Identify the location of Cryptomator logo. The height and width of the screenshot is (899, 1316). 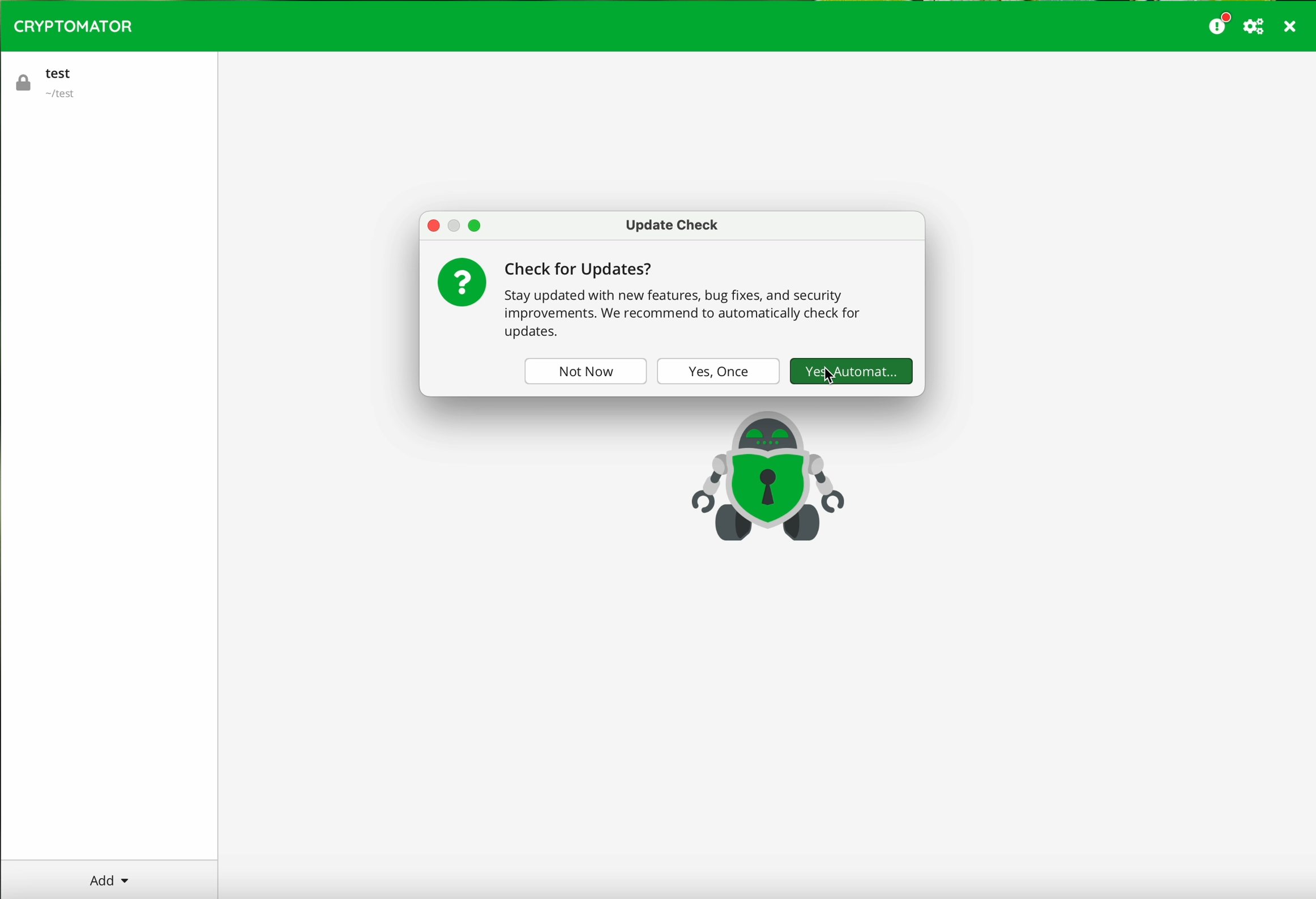
(765, 475).